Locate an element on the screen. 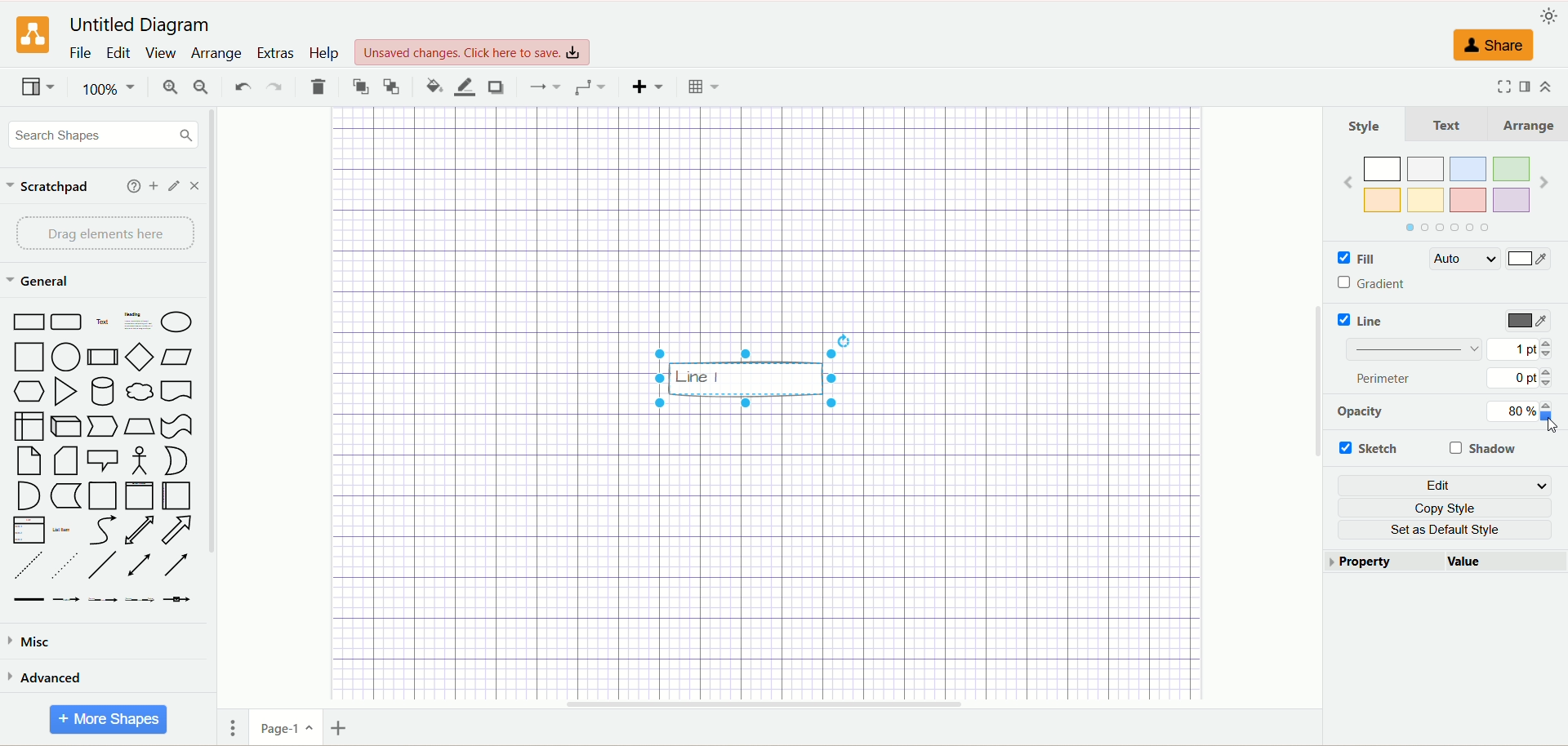  Horizantal Container is located at coordinates (176, 495).